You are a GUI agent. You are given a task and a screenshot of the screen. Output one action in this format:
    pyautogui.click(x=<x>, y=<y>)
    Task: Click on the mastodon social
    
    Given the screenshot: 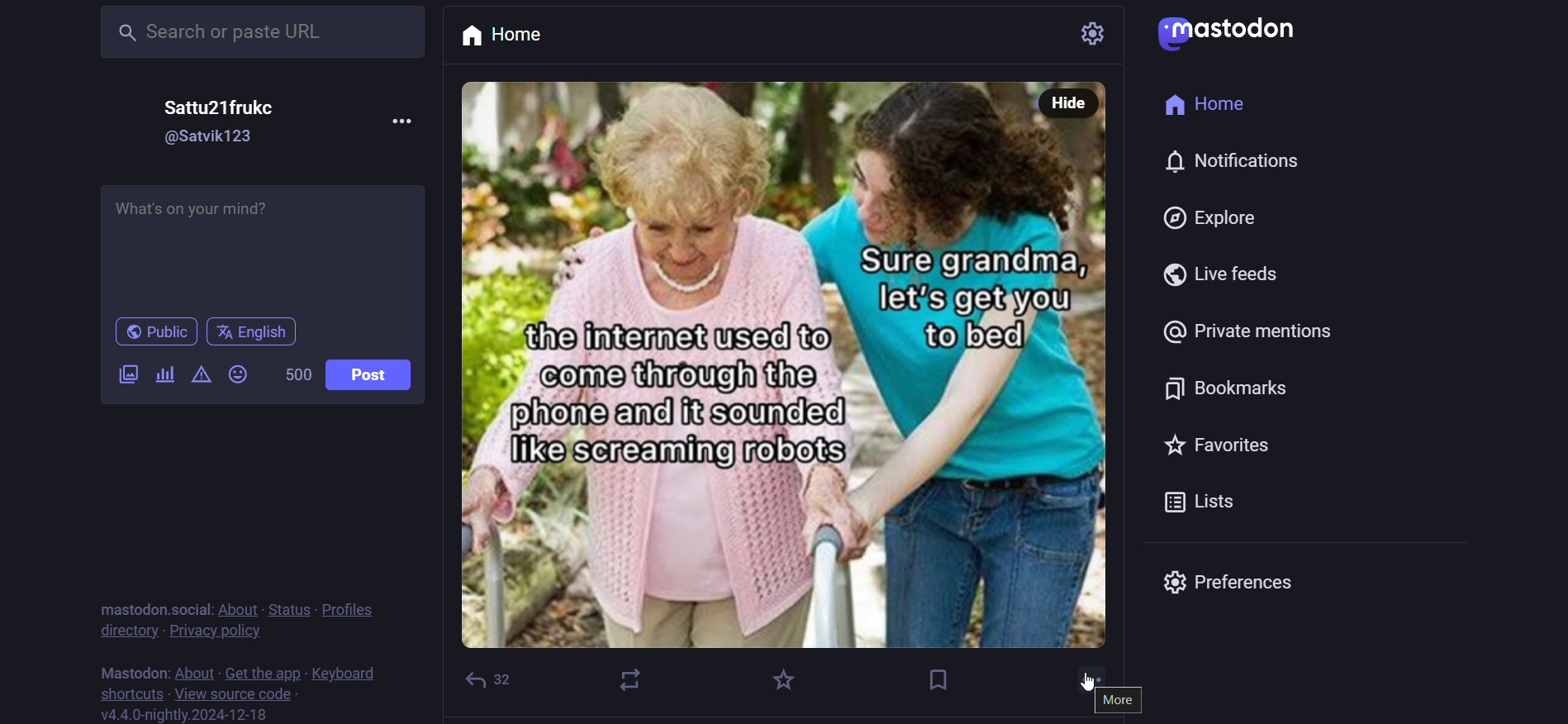 What is the action you would take?
    pyautogui.click(x=149, y=604)
    